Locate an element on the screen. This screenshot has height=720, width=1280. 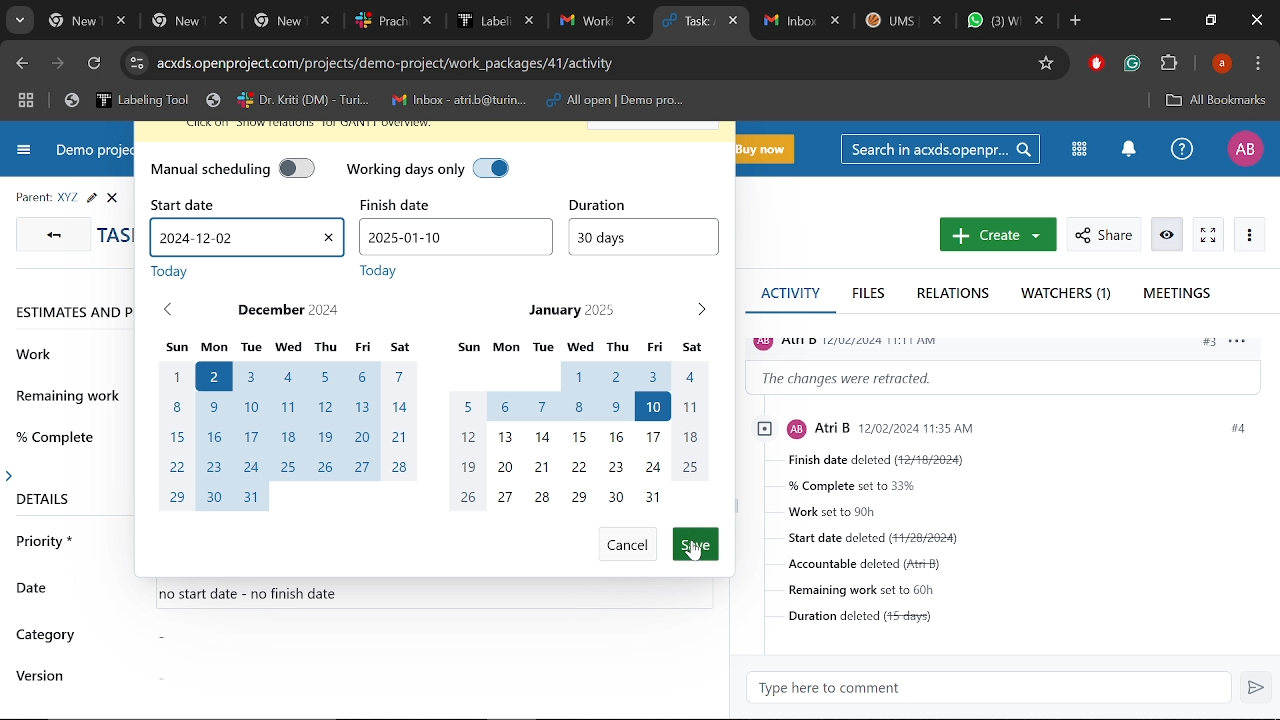
details is located at coordinates (39, 494).